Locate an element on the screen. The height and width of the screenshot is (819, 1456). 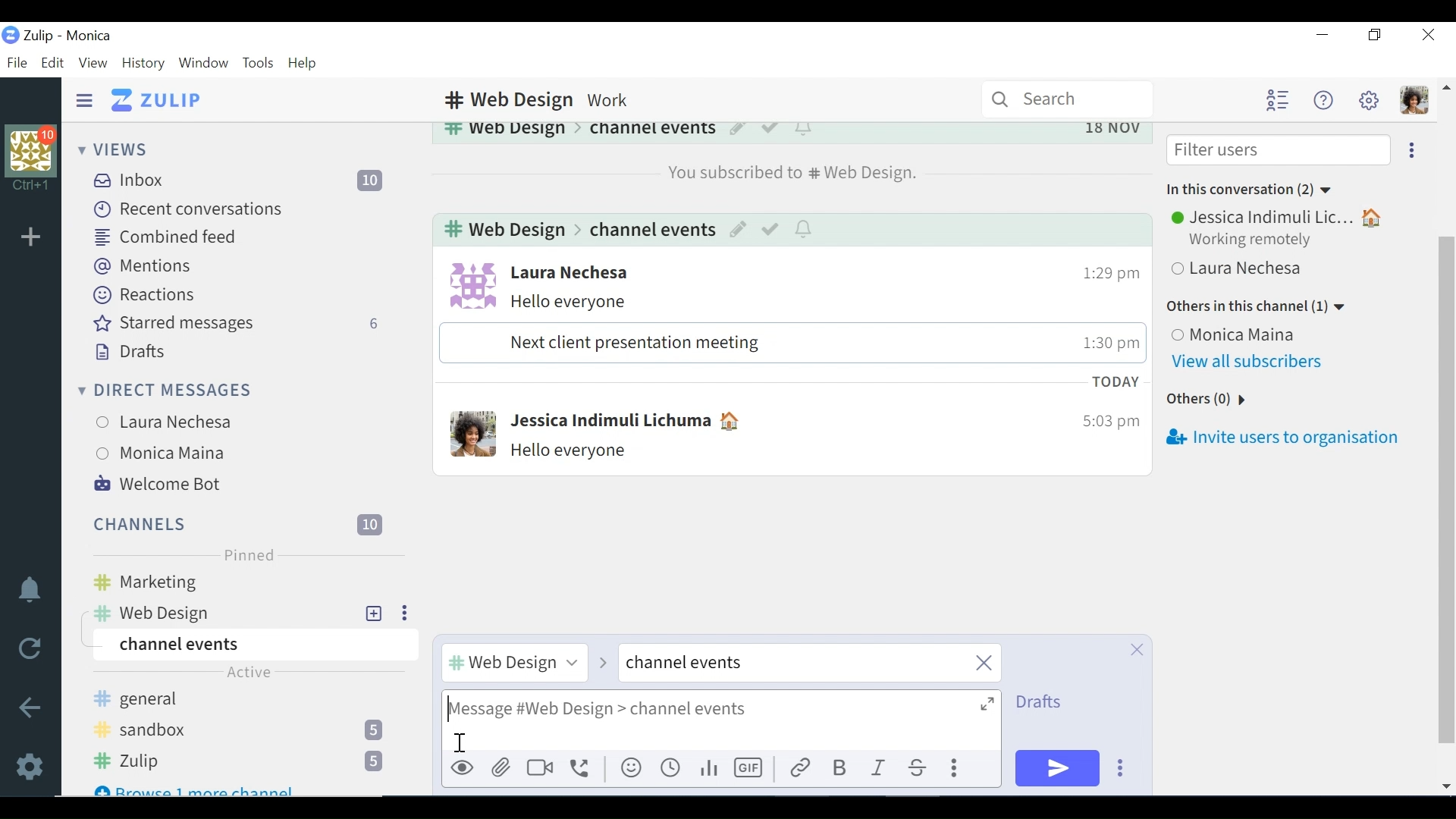
User is located at coordinates (1288, 216).